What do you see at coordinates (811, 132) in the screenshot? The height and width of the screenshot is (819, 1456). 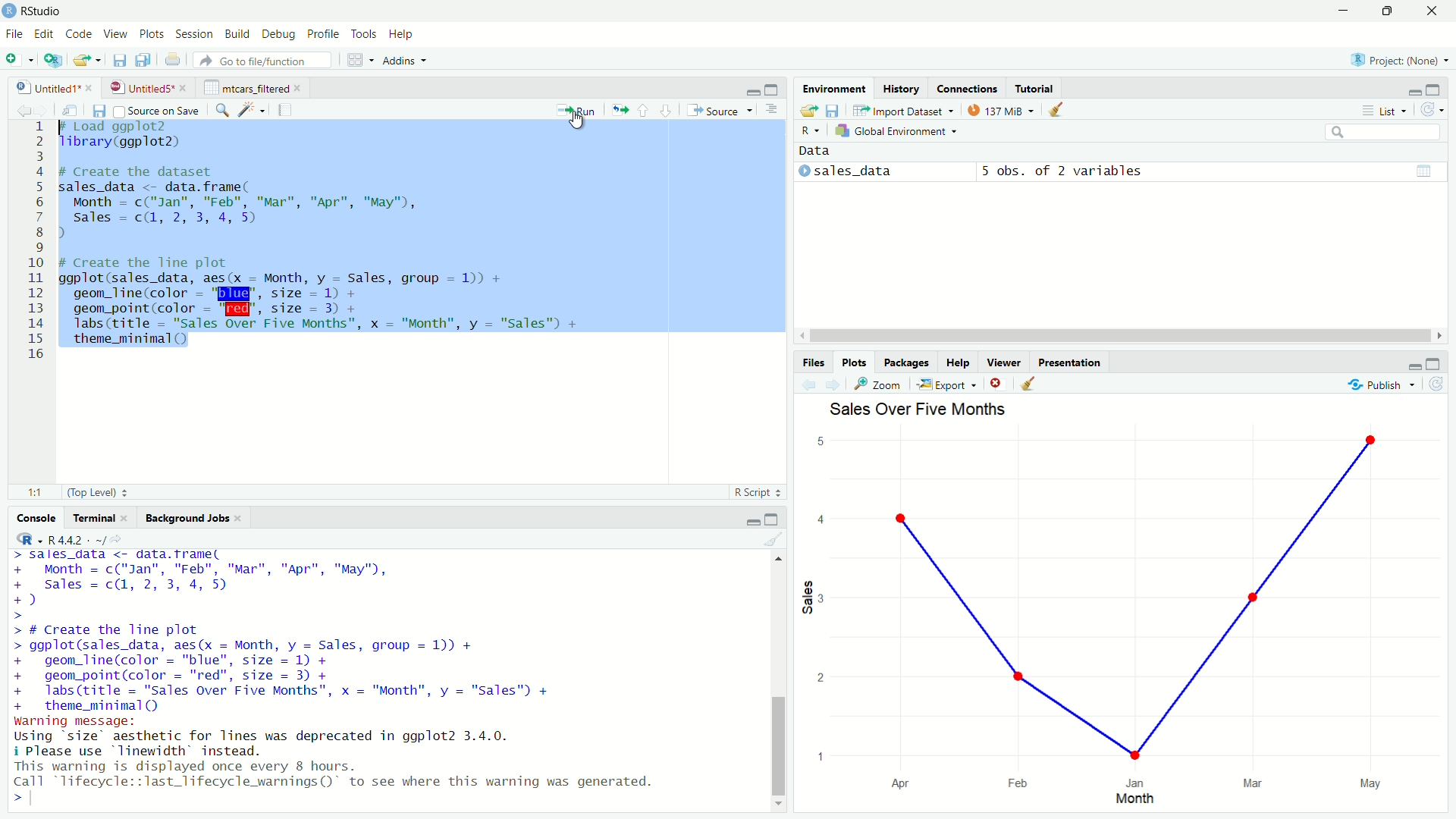 I see `R` at bounding box center [811, 132].